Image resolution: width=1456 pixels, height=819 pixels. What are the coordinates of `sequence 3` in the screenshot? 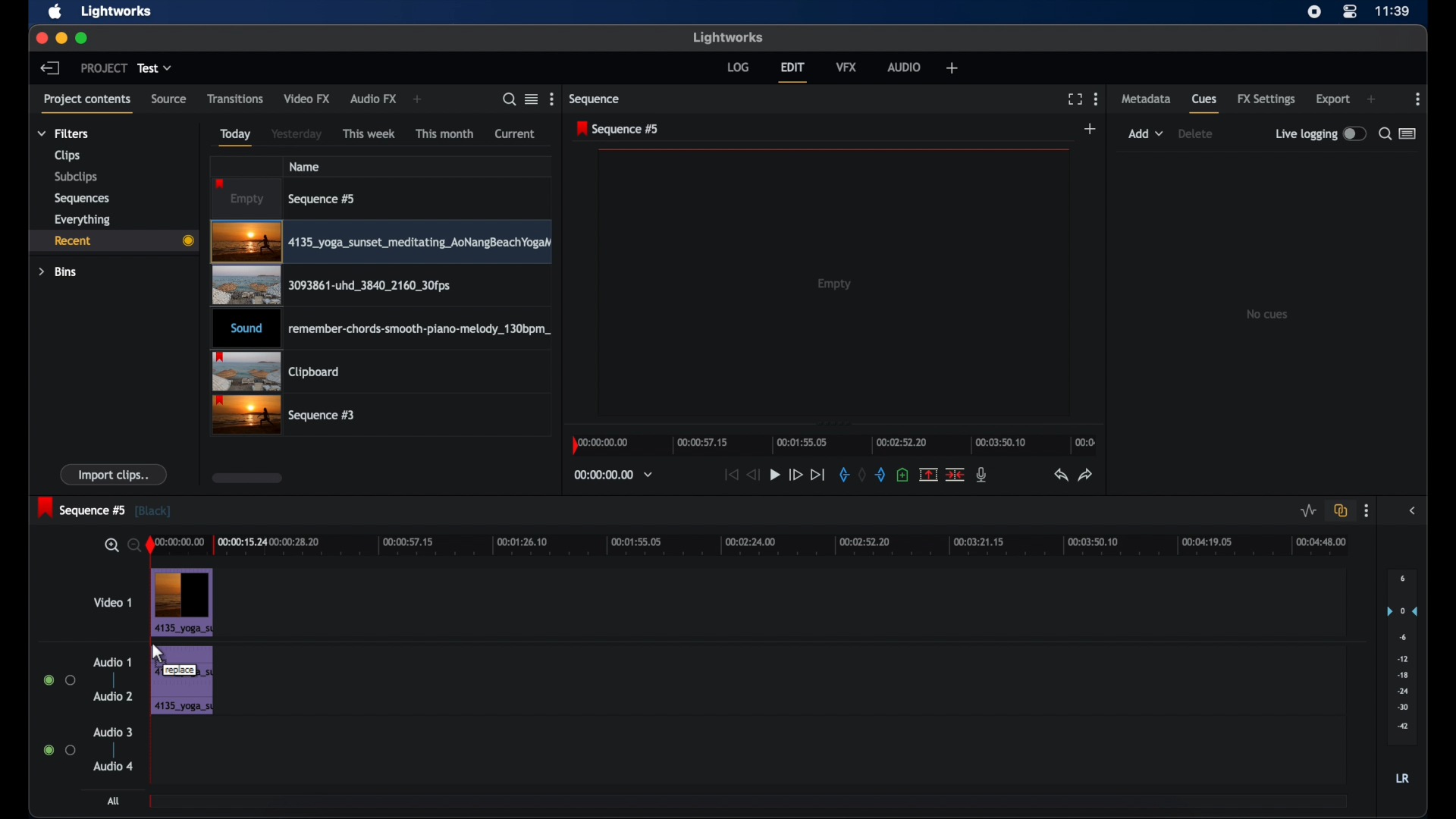 It's located at (285, 416).